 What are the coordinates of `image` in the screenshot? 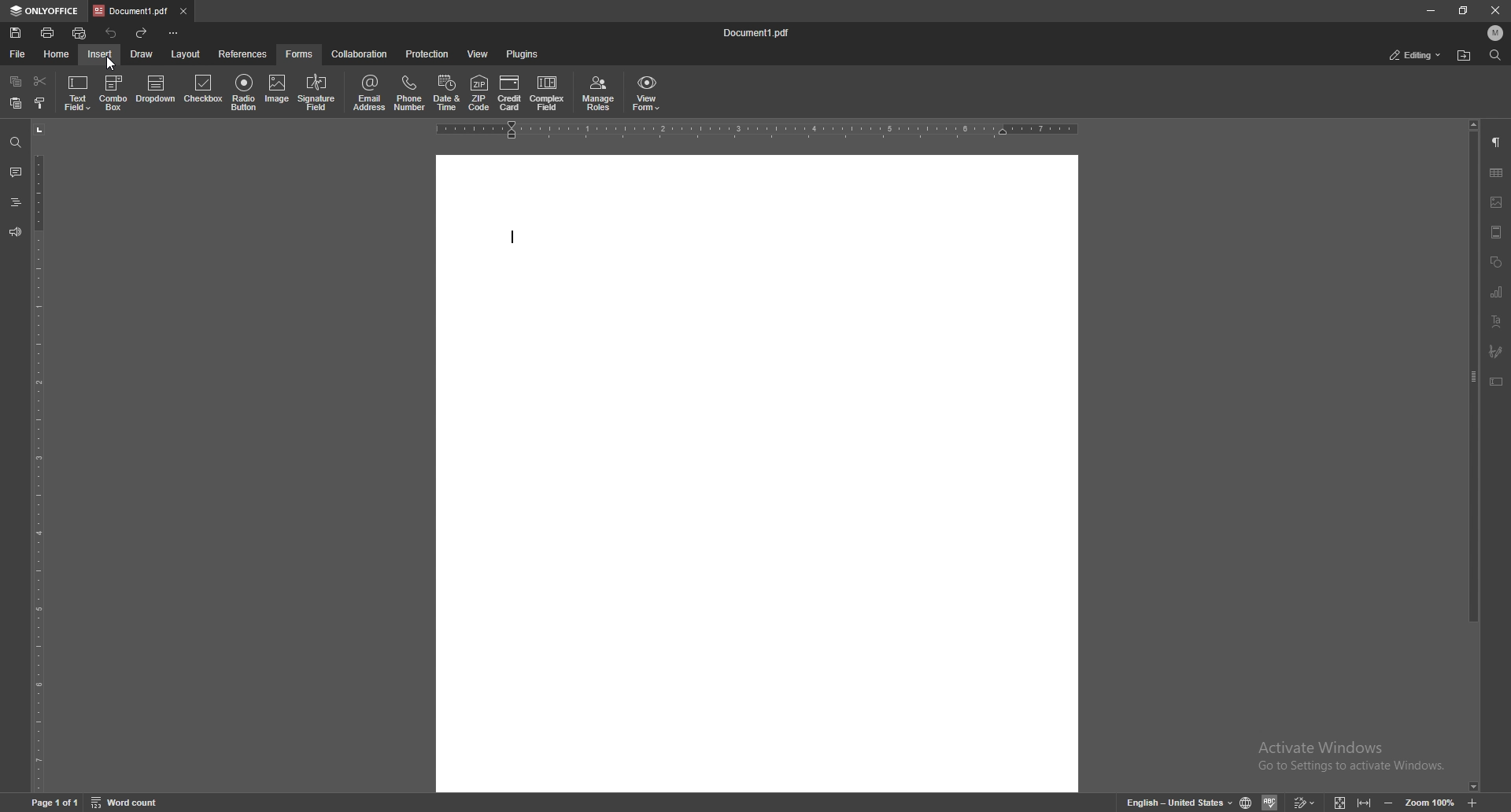 It's located at (279, 91).